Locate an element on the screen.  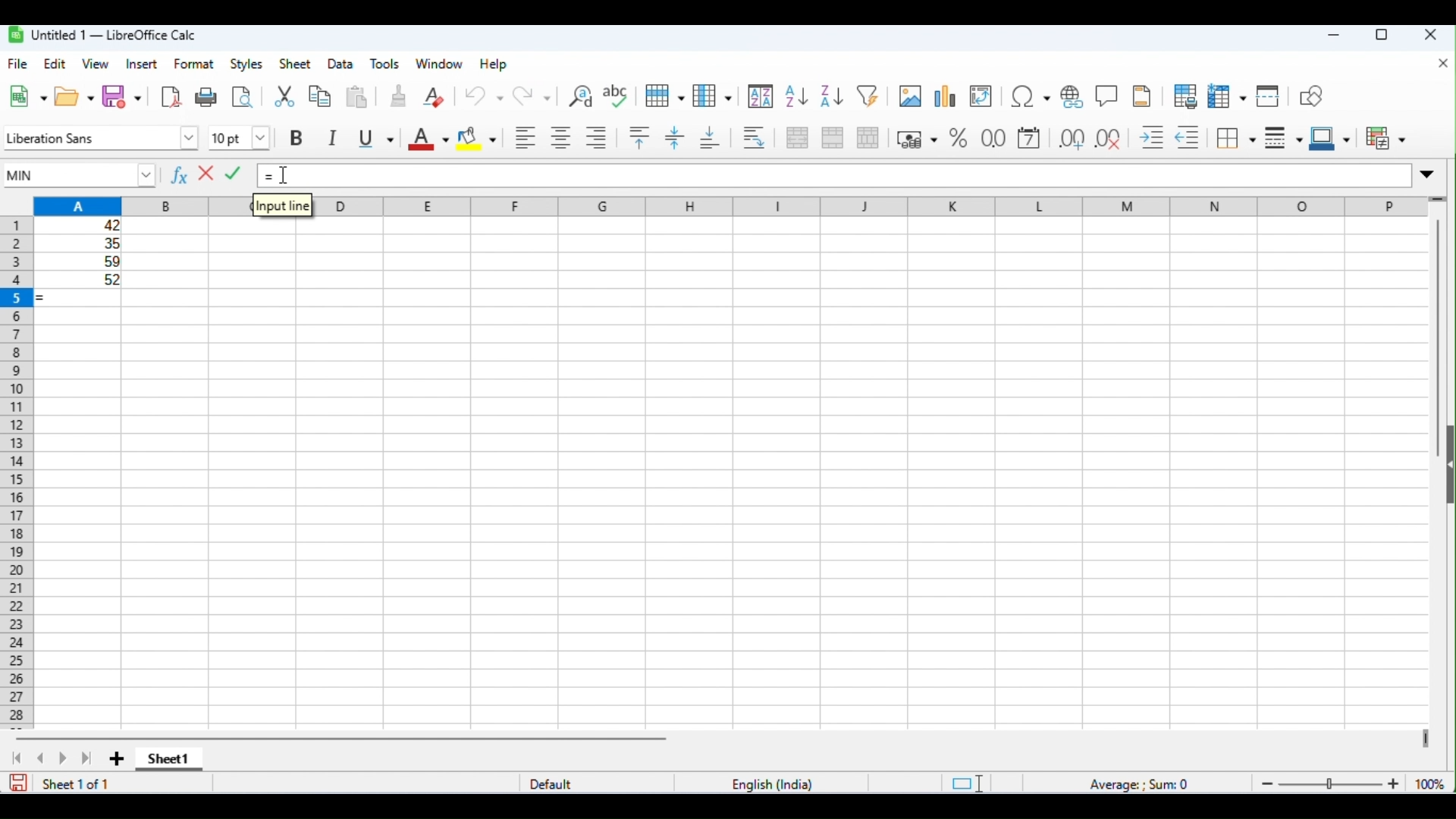
vertical scroll bar is located at coordinates (1436, 340).